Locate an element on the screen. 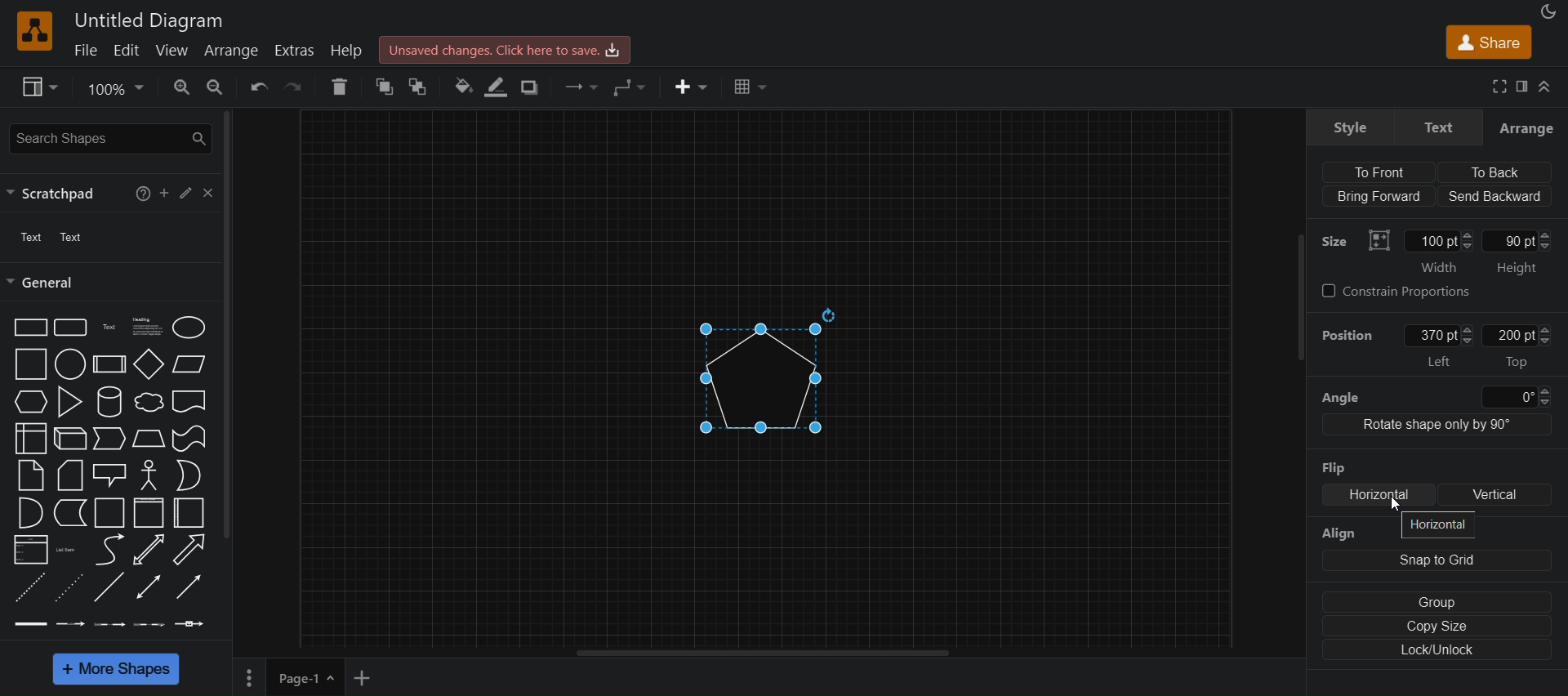 This screenshot has width=1568, height=696. Horizontal is located at coordinates (1379, 495).